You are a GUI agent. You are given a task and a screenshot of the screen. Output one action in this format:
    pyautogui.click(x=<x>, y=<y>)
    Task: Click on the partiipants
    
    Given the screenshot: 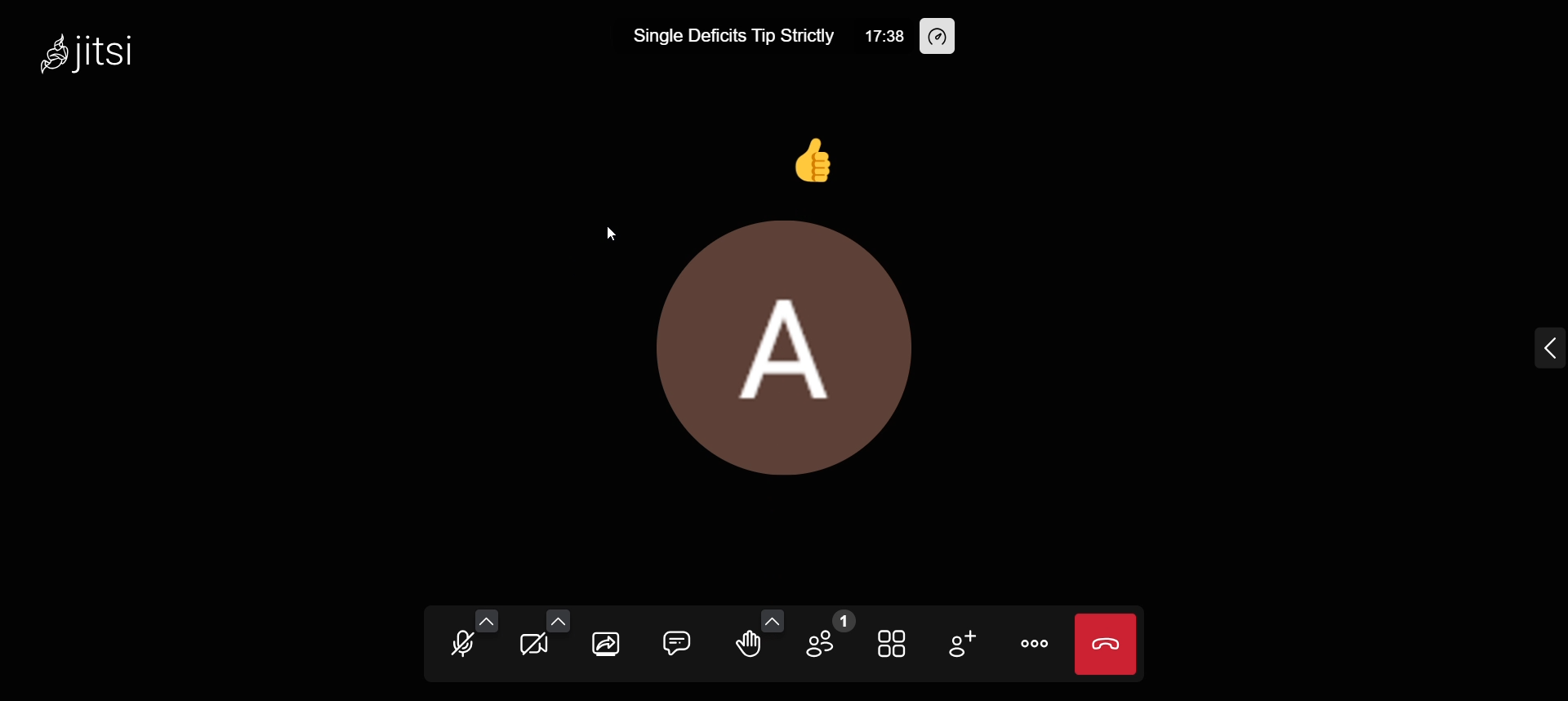 What is the action you would take?
    pyautogui.click(x=828, y=636)
    